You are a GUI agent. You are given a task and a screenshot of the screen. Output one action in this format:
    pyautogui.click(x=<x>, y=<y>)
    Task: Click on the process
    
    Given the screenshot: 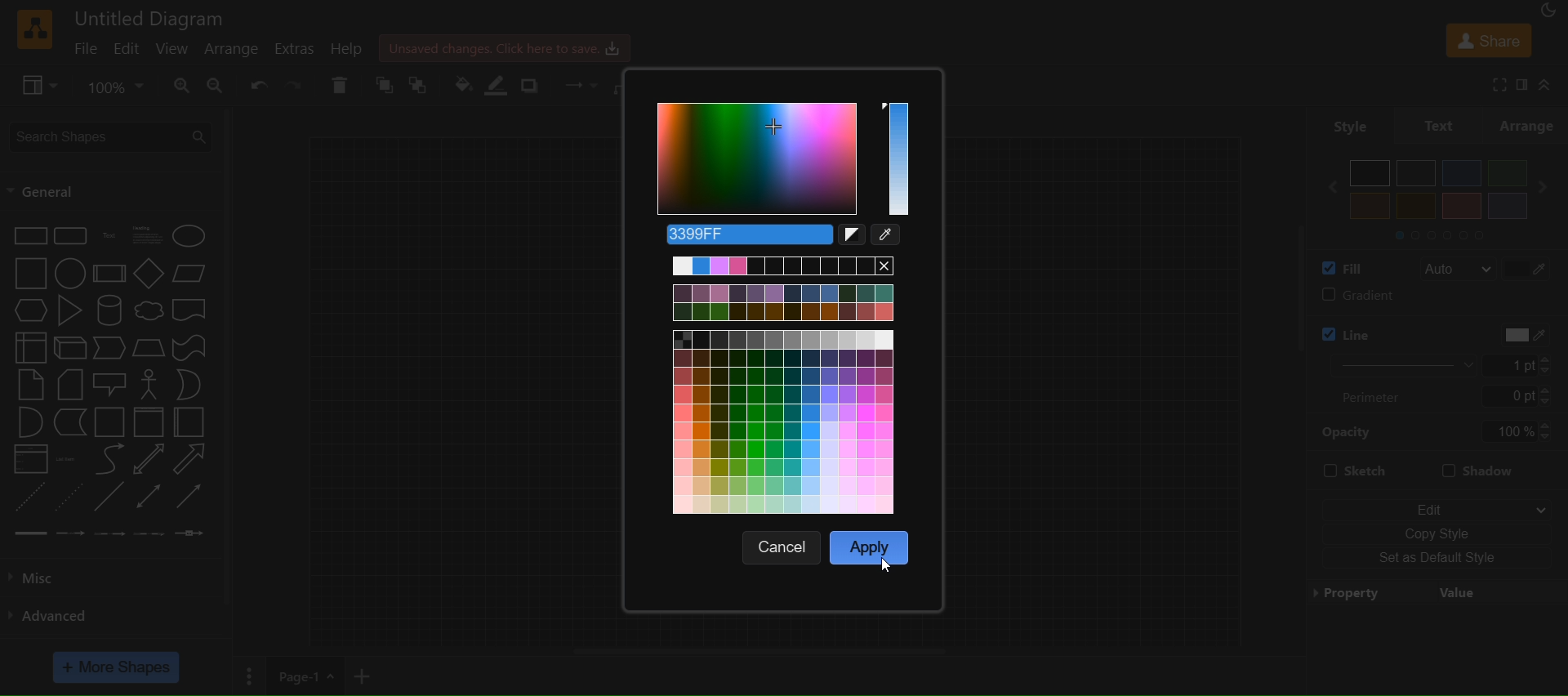 What is the action you would take?
    pyautogui.click(x=109, y=274)
    